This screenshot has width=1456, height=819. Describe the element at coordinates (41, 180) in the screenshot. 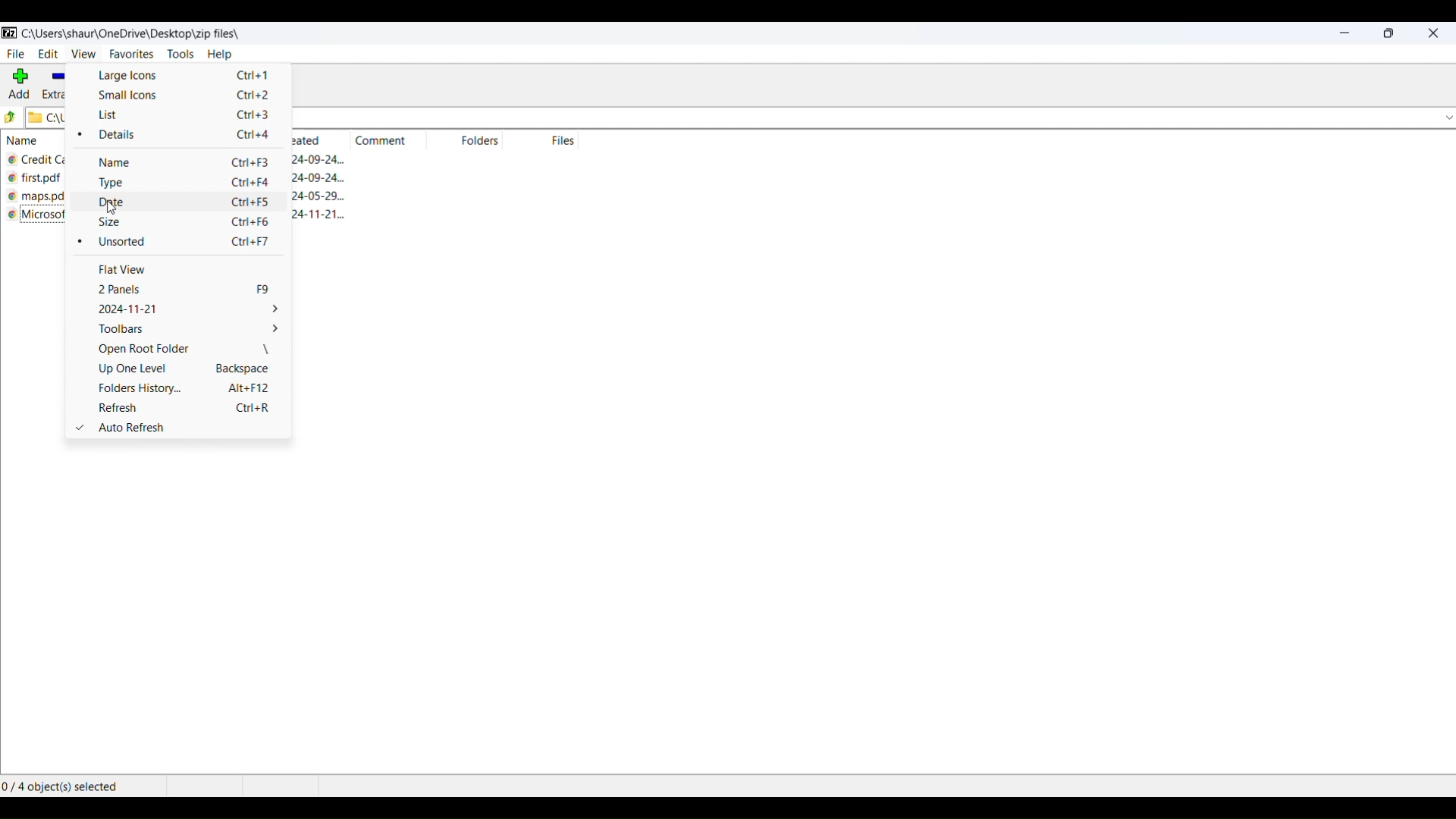

I see `file name` at that location.